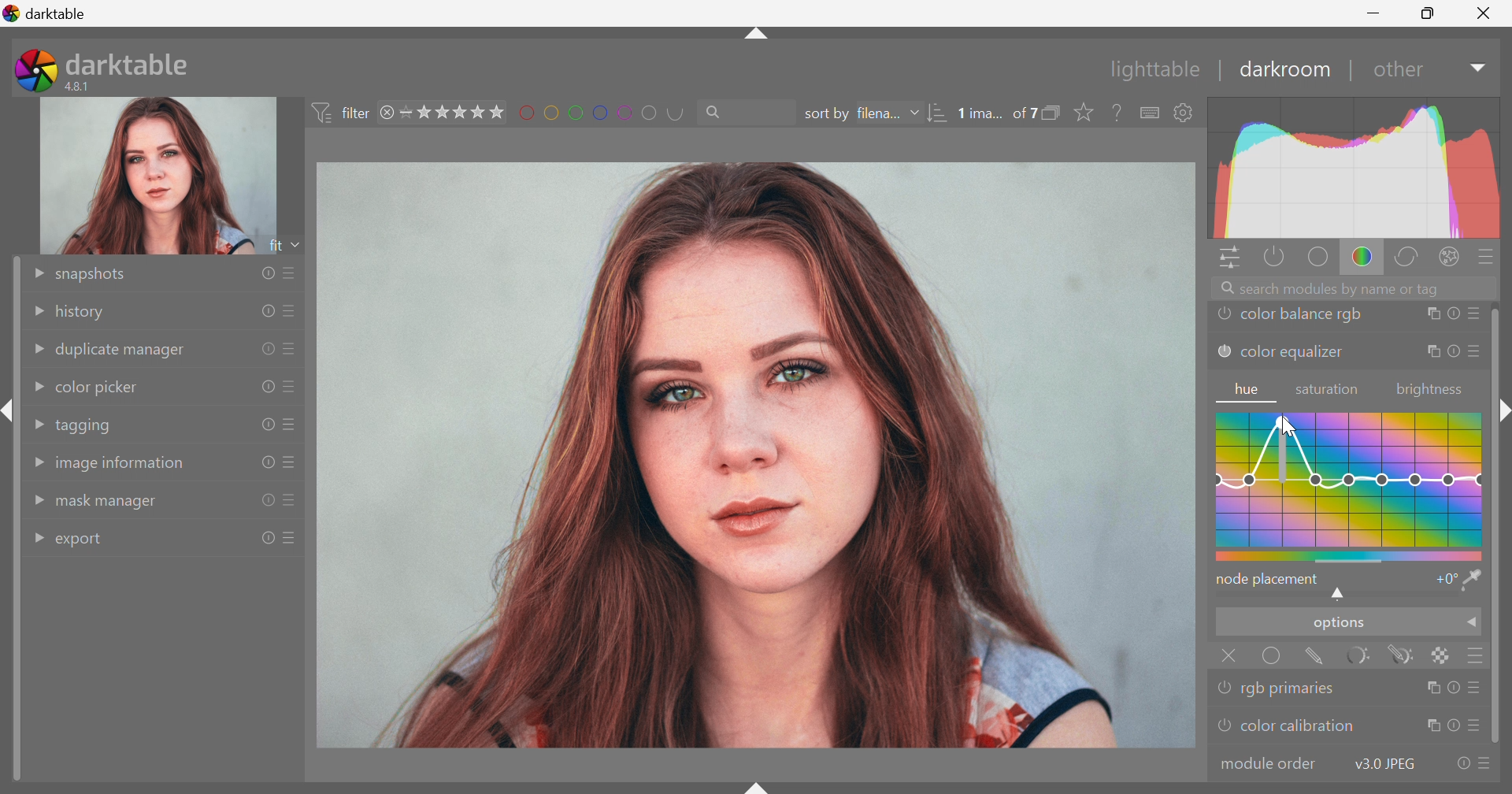 The height and width of the screenshot is (794, 1512). Describe the element at coordinates (1430, 15) in the screenshot. I see `Restore Down` at that location.